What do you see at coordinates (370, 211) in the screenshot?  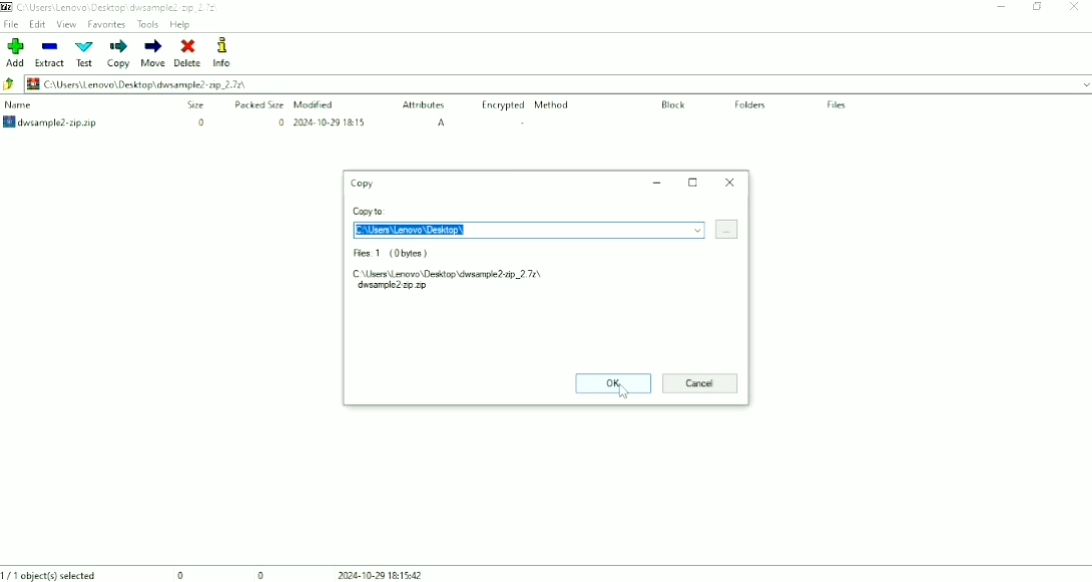 I see `Copy to:` at bounding box center [370, 211].